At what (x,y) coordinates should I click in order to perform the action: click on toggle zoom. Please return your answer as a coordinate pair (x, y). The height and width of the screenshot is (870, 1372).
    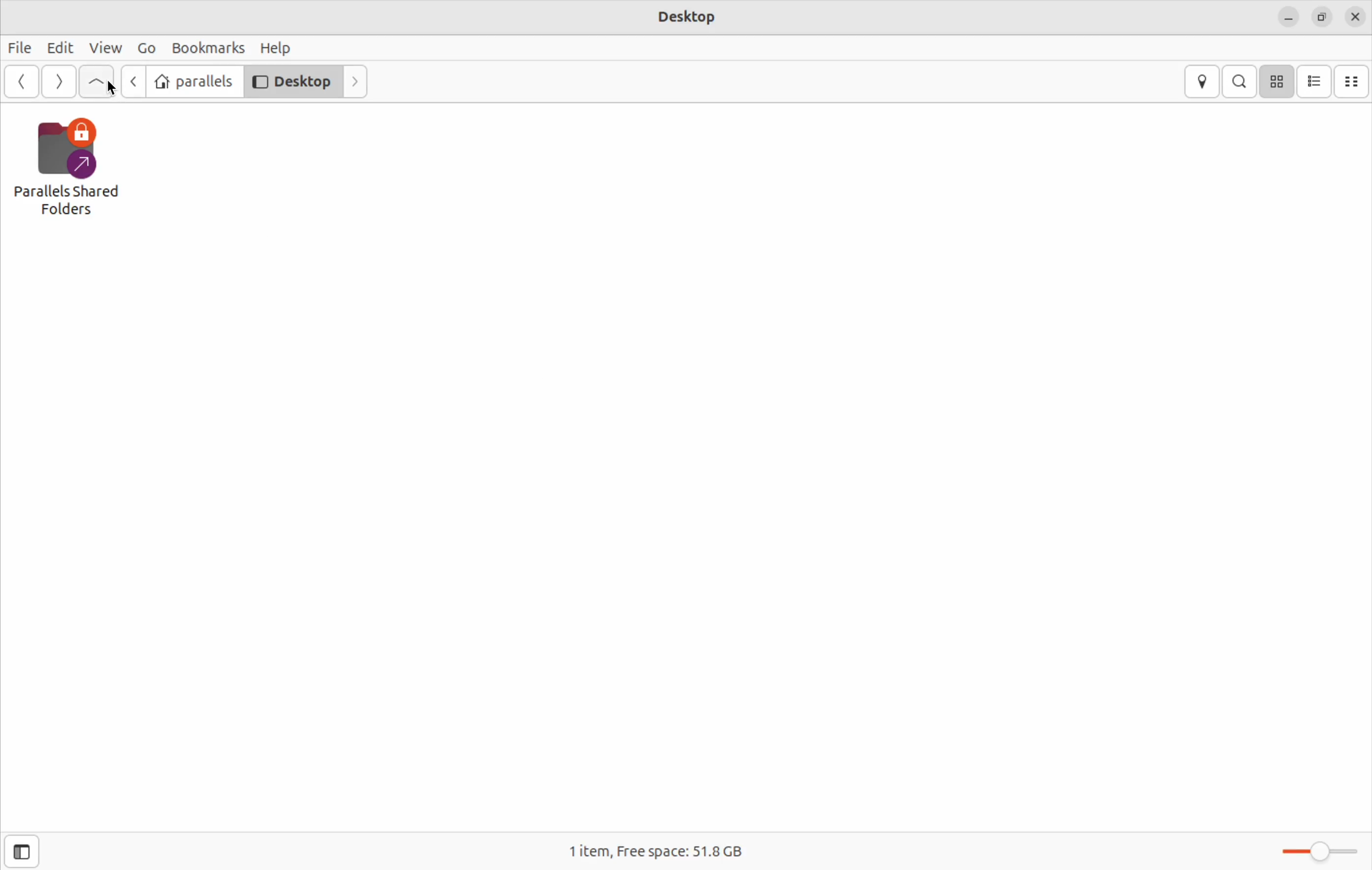
    Looking at the image, I should click on (1320, 847).